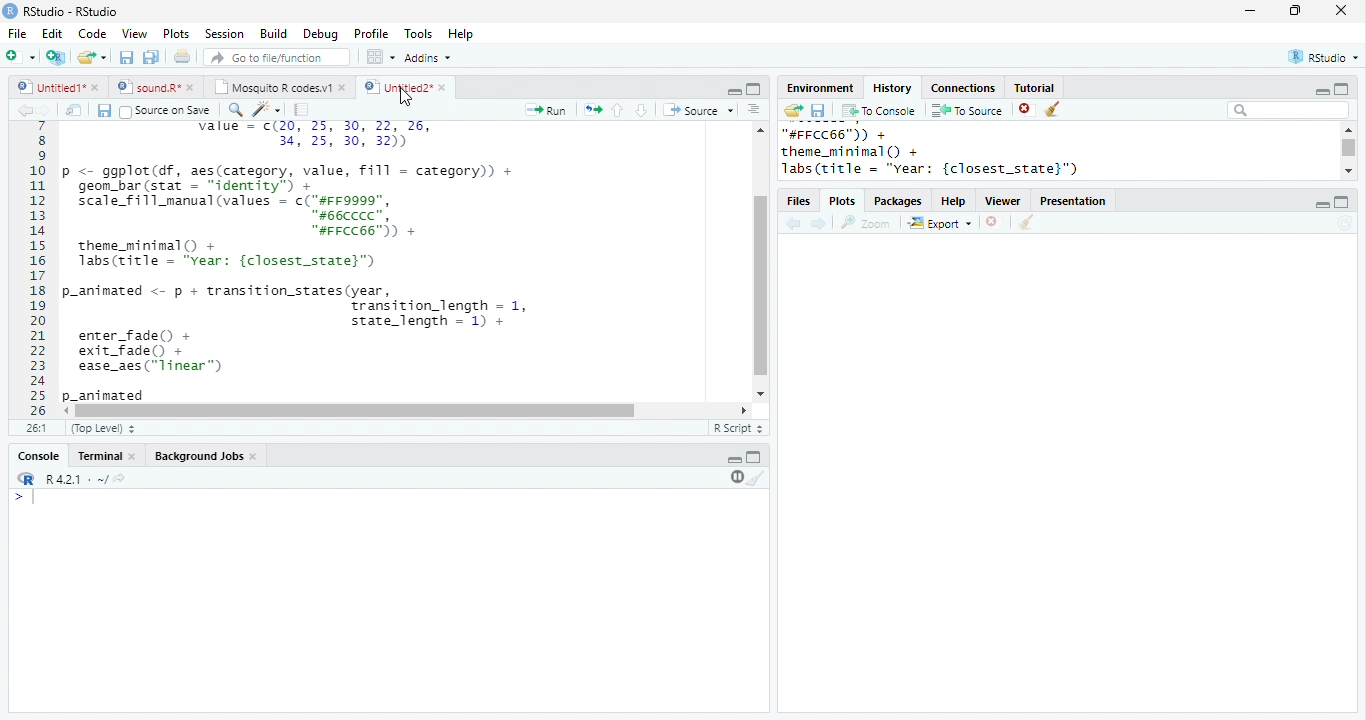 The image size is (1366, 720). What do you see at coordinates (443, 87) in the screenshot?
I see `close` at bounding box center [443, 87].